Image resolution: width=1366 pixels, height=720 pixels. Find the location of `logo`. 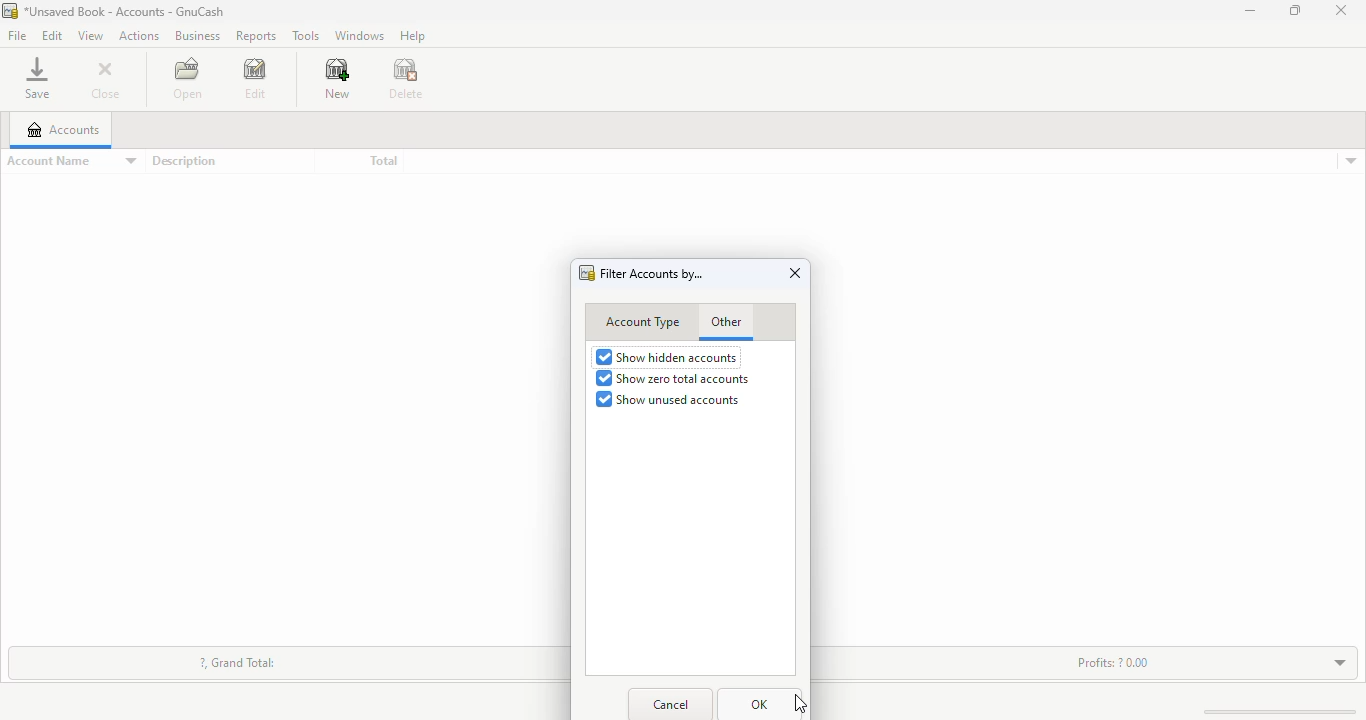

logo is located at coordinates (587, 273).